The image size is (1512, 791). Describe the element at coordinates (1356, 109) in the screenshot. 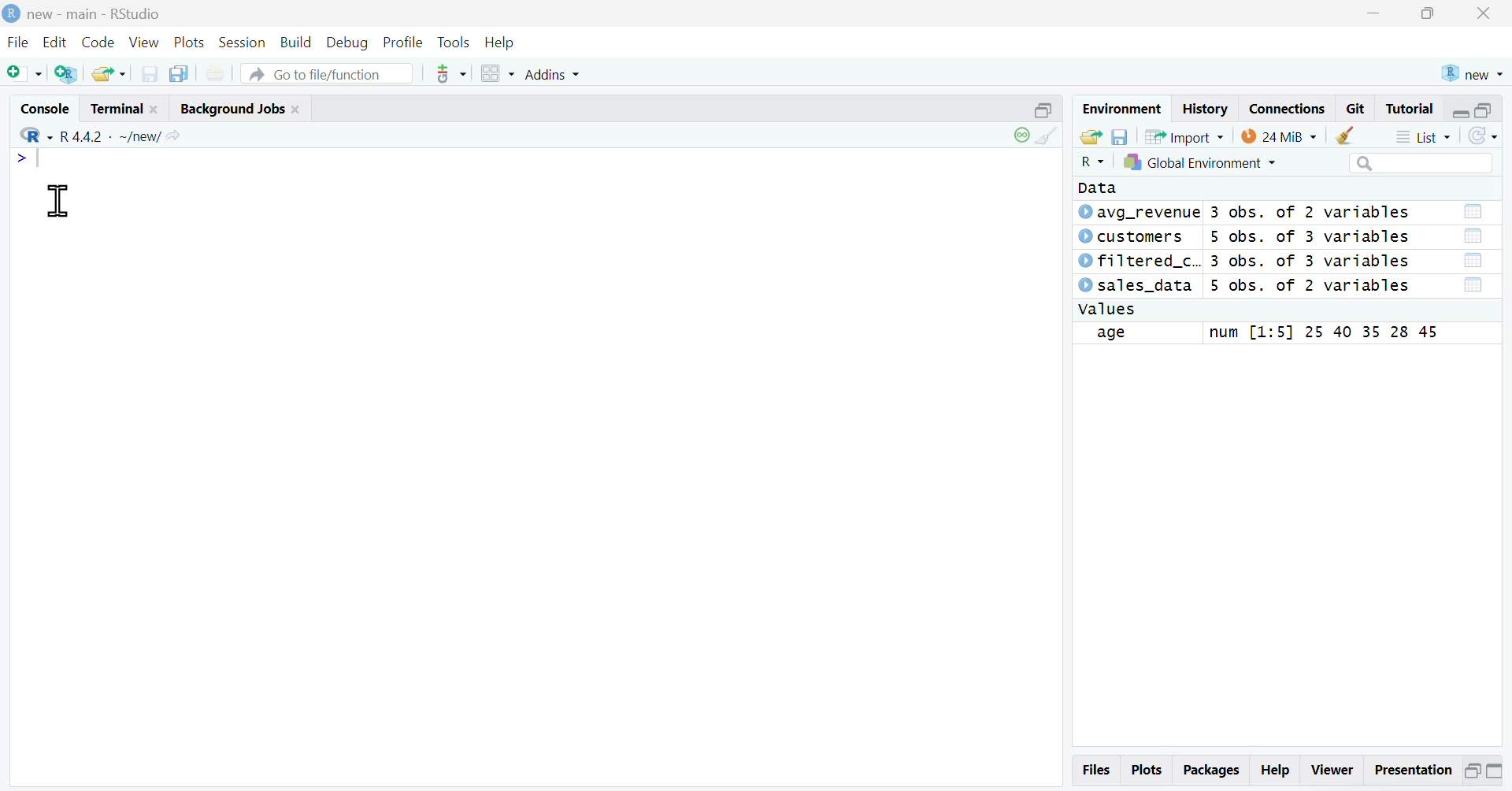

I see `Git` at that location.